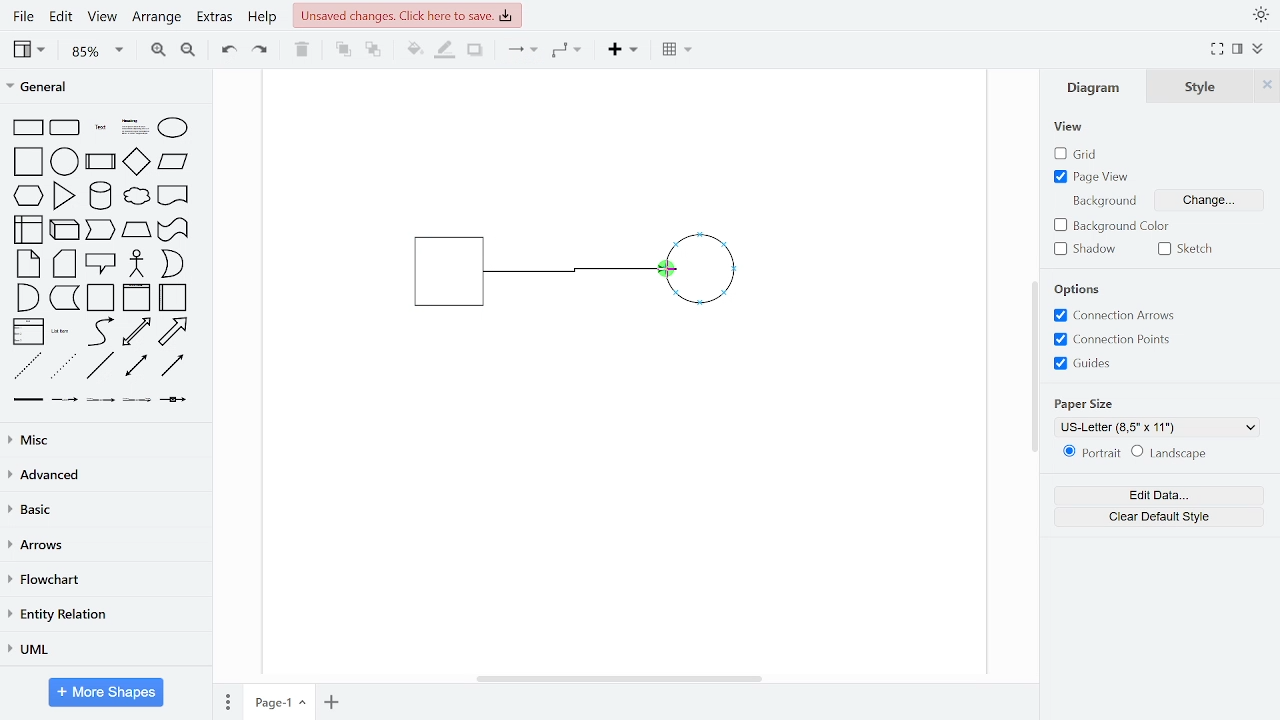  What do you see at coordinates (139, 401) in the screenshot?
I see `connector with 3 labels` at bounding box center [139, 401].